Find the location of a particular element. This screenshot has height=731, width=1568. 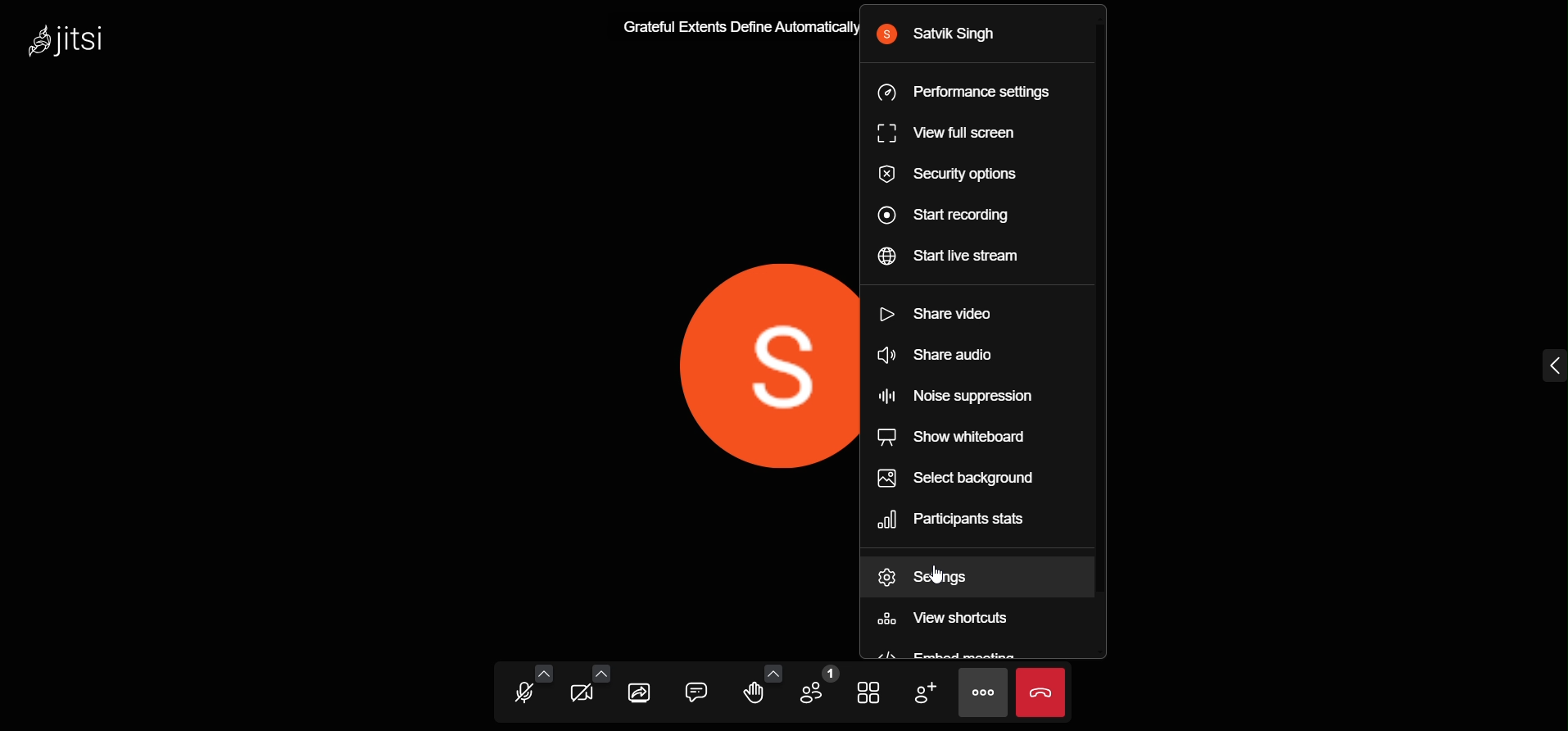

display picture is located at coordinates (745, 365).